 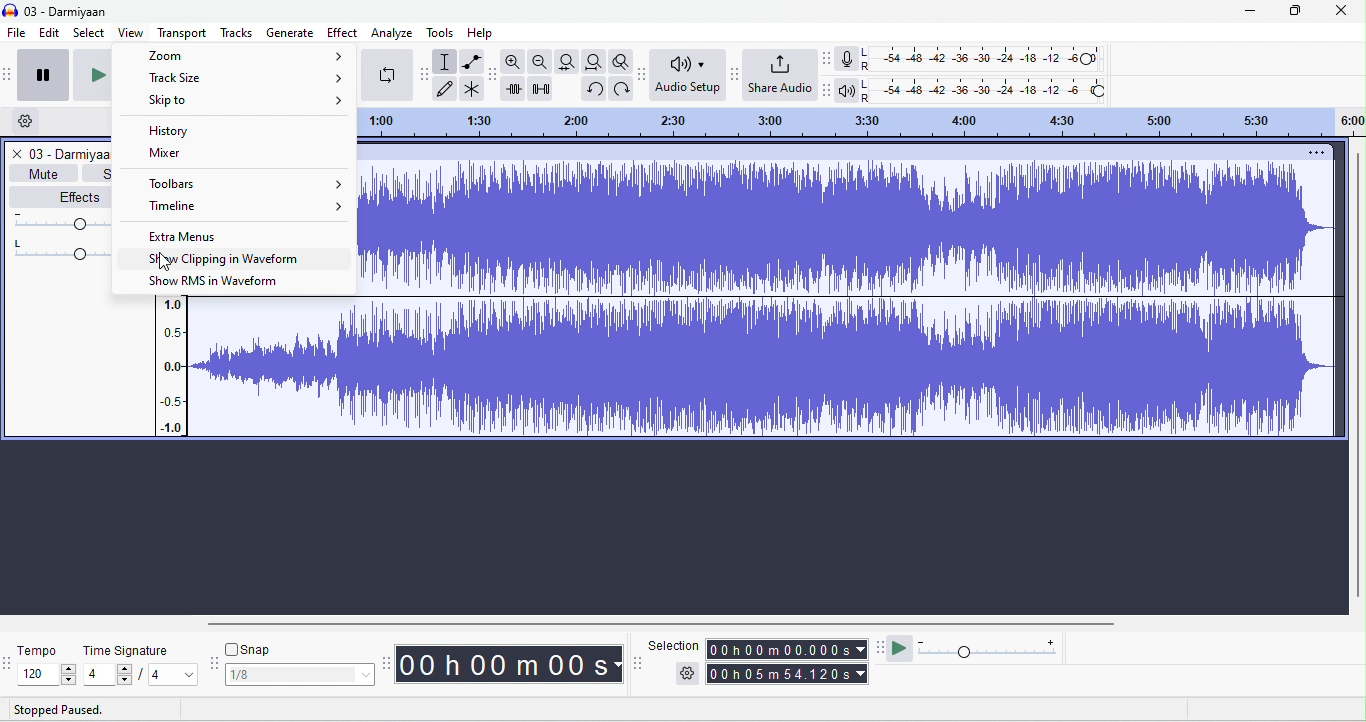 What do you see at coordinates (734, 73) in the screenshot?
I see `audacity share audio toolbar` at bounding box center [734, 73].